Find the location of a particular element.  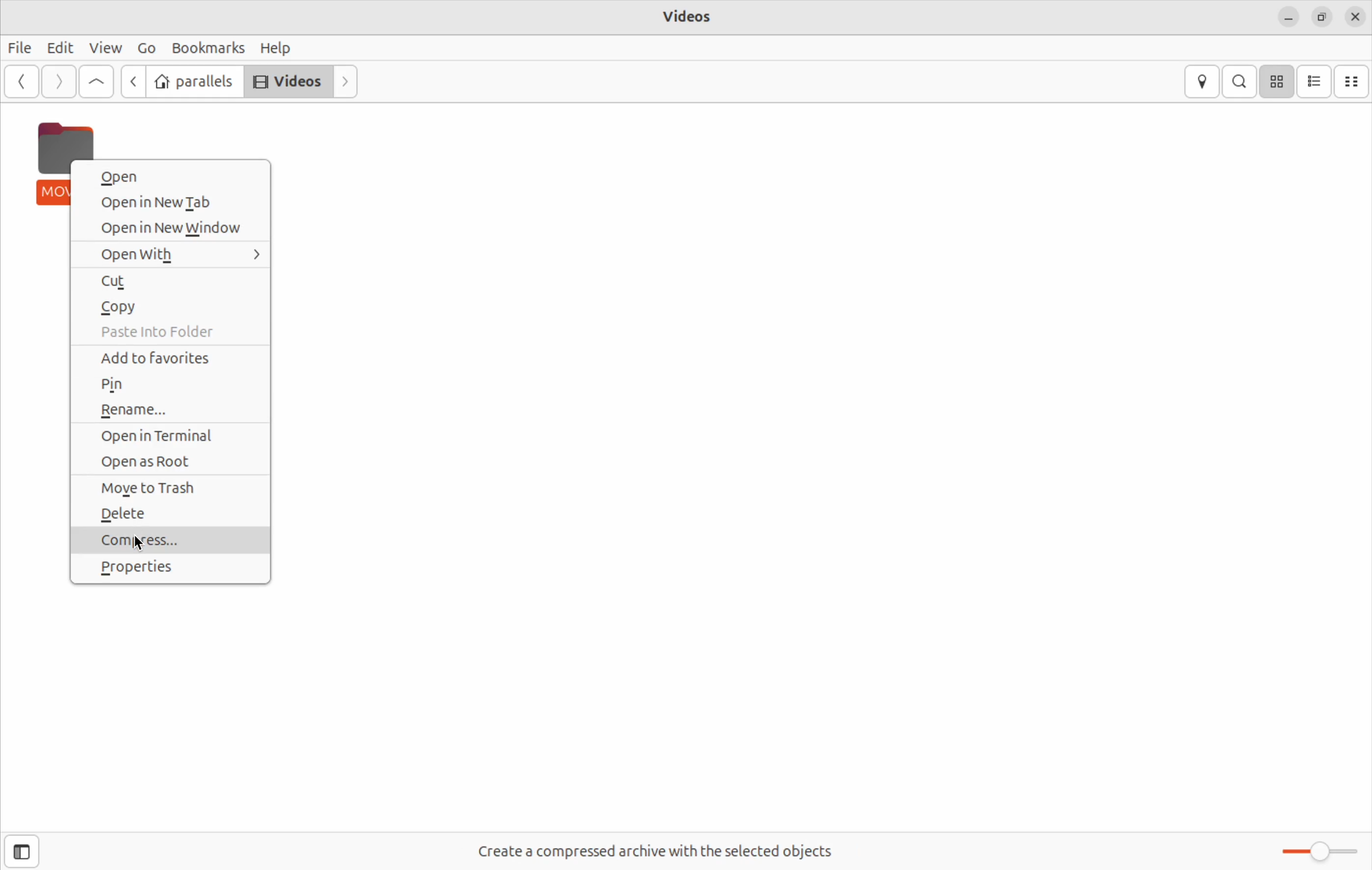

compact view is located at coordinates (1353, 81).